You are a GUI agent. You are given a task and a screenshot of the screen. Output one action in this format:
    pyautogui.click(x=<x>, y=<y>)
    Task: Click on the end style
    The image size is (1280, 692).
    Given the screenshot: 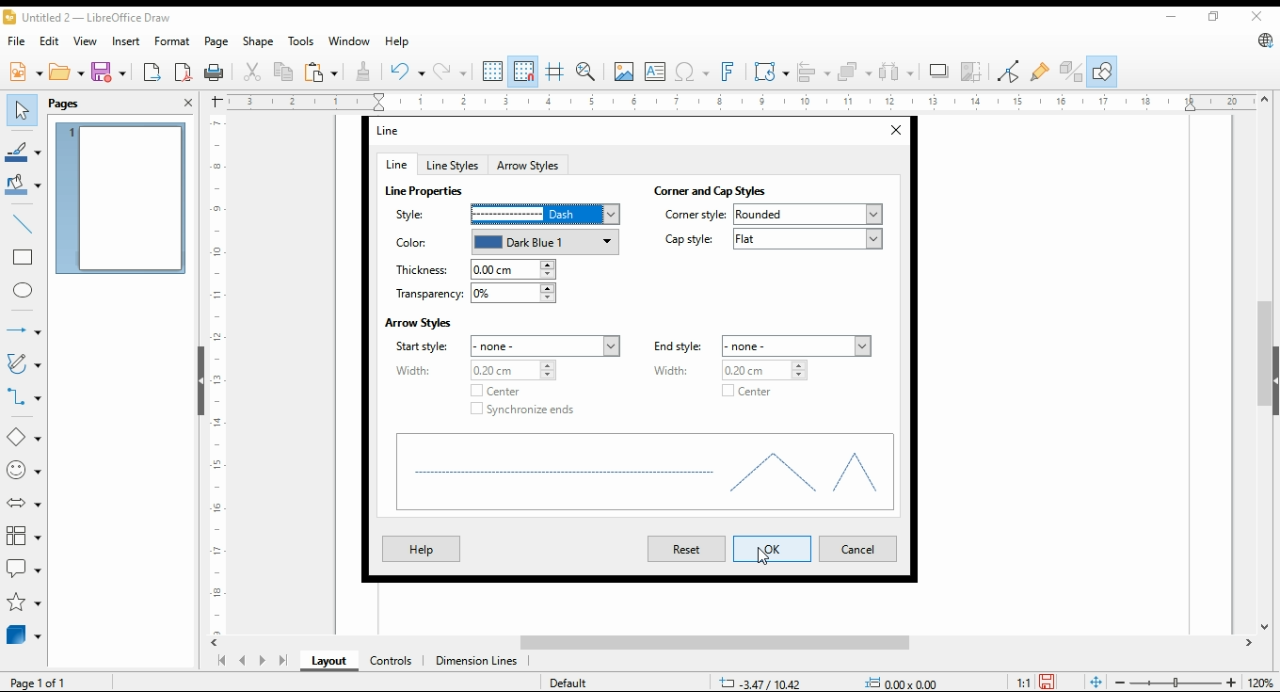 What is the action you would take?
    pyautogui.click(x=763, y=346)
    